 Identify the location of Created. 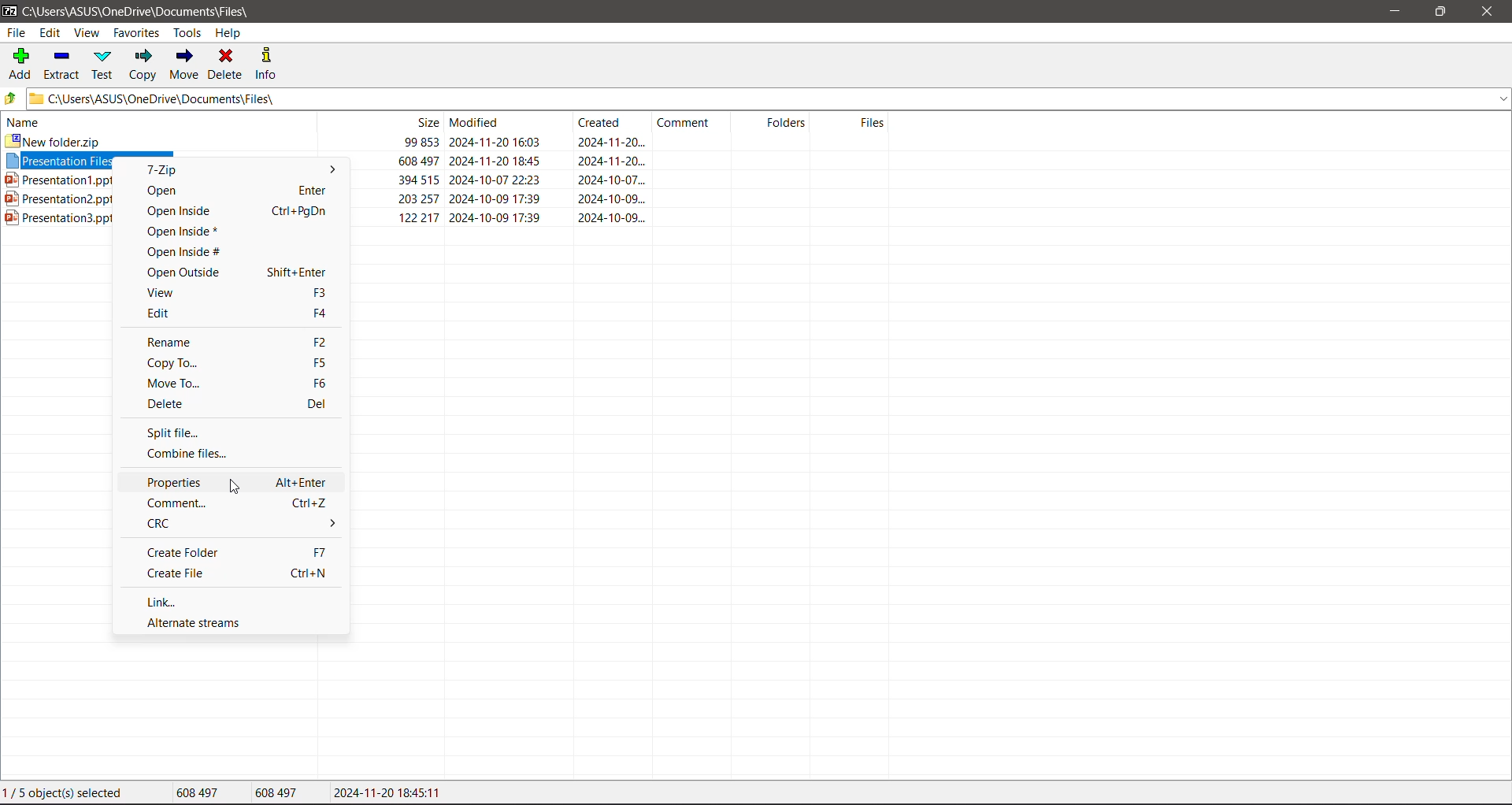
(610, 123).